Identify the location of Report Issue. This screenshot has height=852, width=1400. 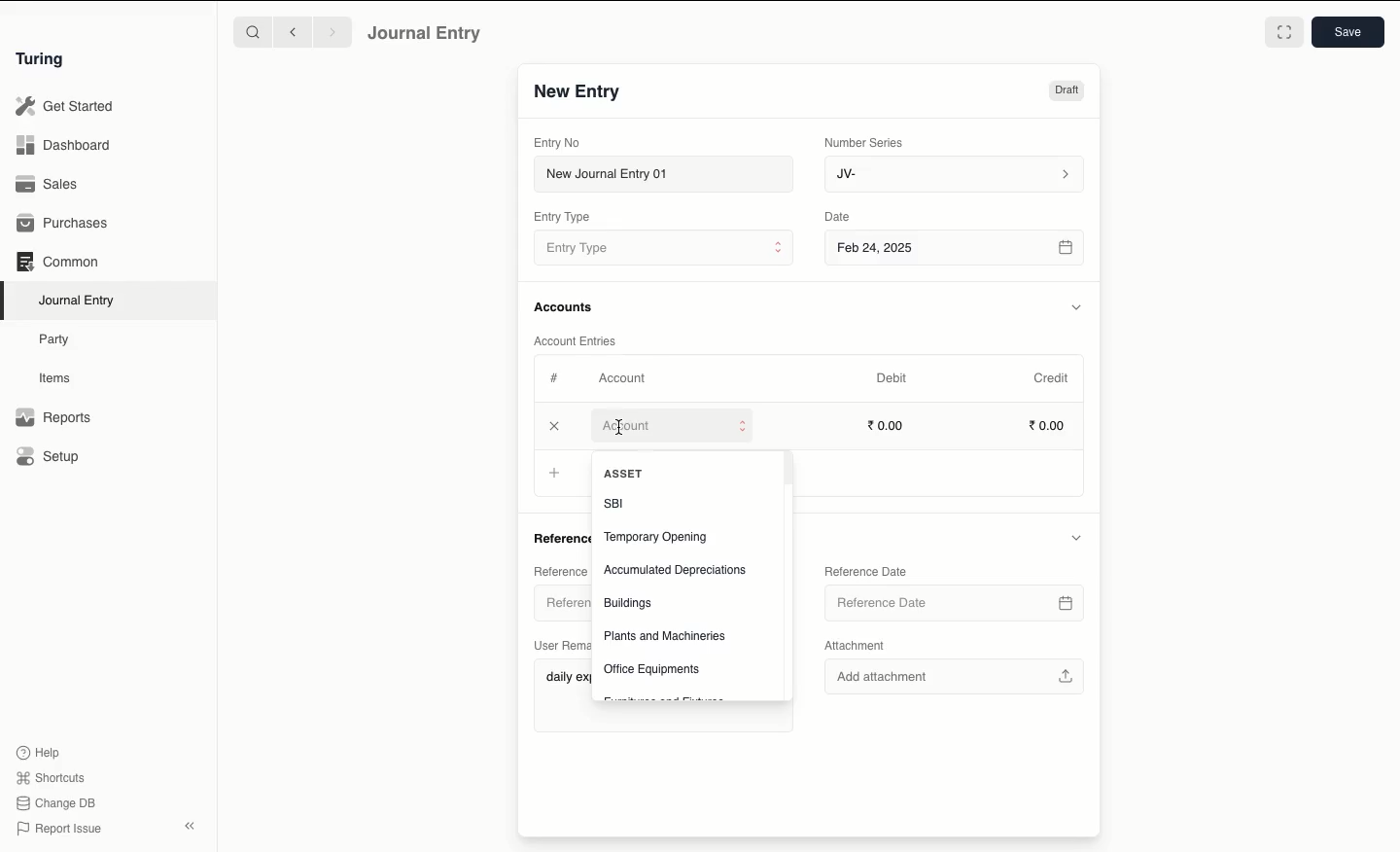
(61, 830).